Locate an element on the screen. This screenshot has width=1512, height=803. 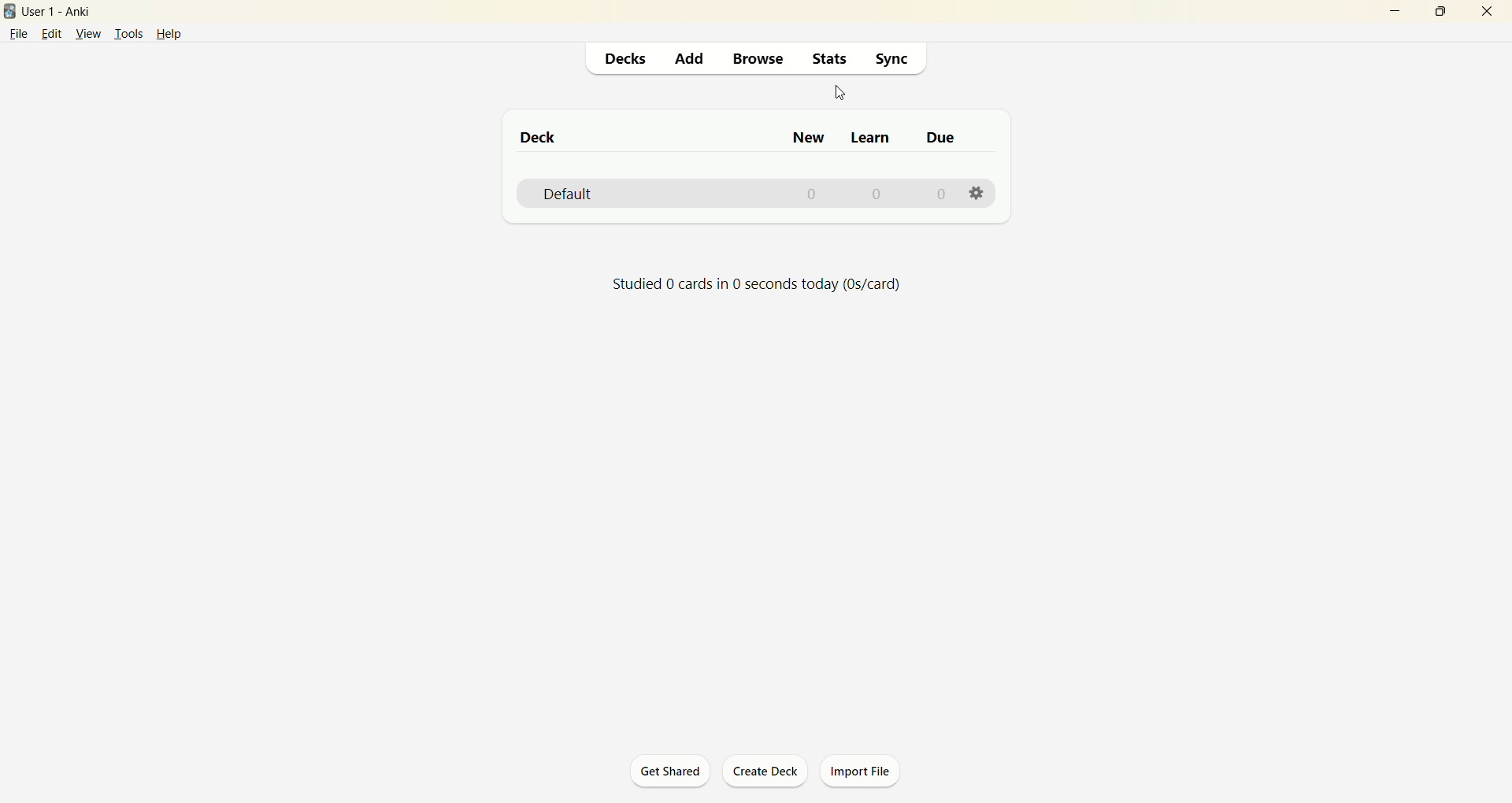
maximize is located at coordinates (1434, 11).